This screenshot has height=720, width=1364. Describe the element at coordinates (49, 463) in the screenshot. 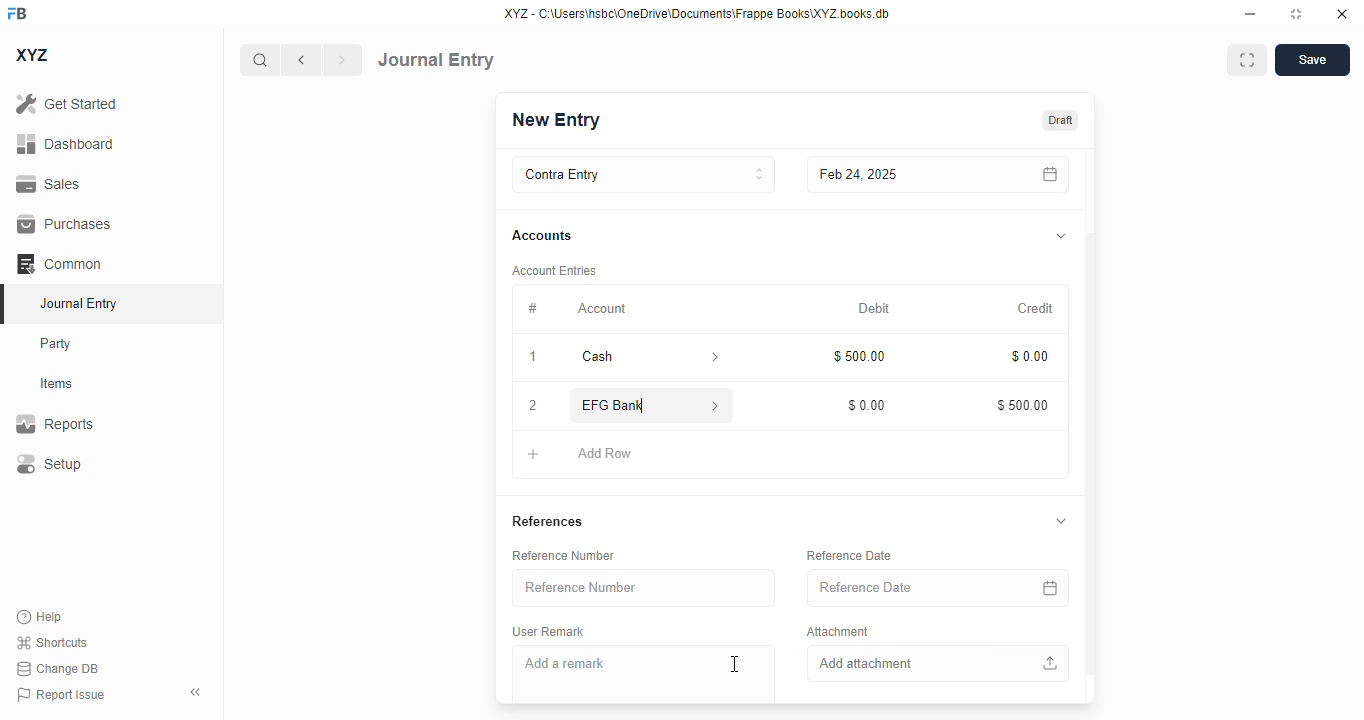

I see `setup` at that location.